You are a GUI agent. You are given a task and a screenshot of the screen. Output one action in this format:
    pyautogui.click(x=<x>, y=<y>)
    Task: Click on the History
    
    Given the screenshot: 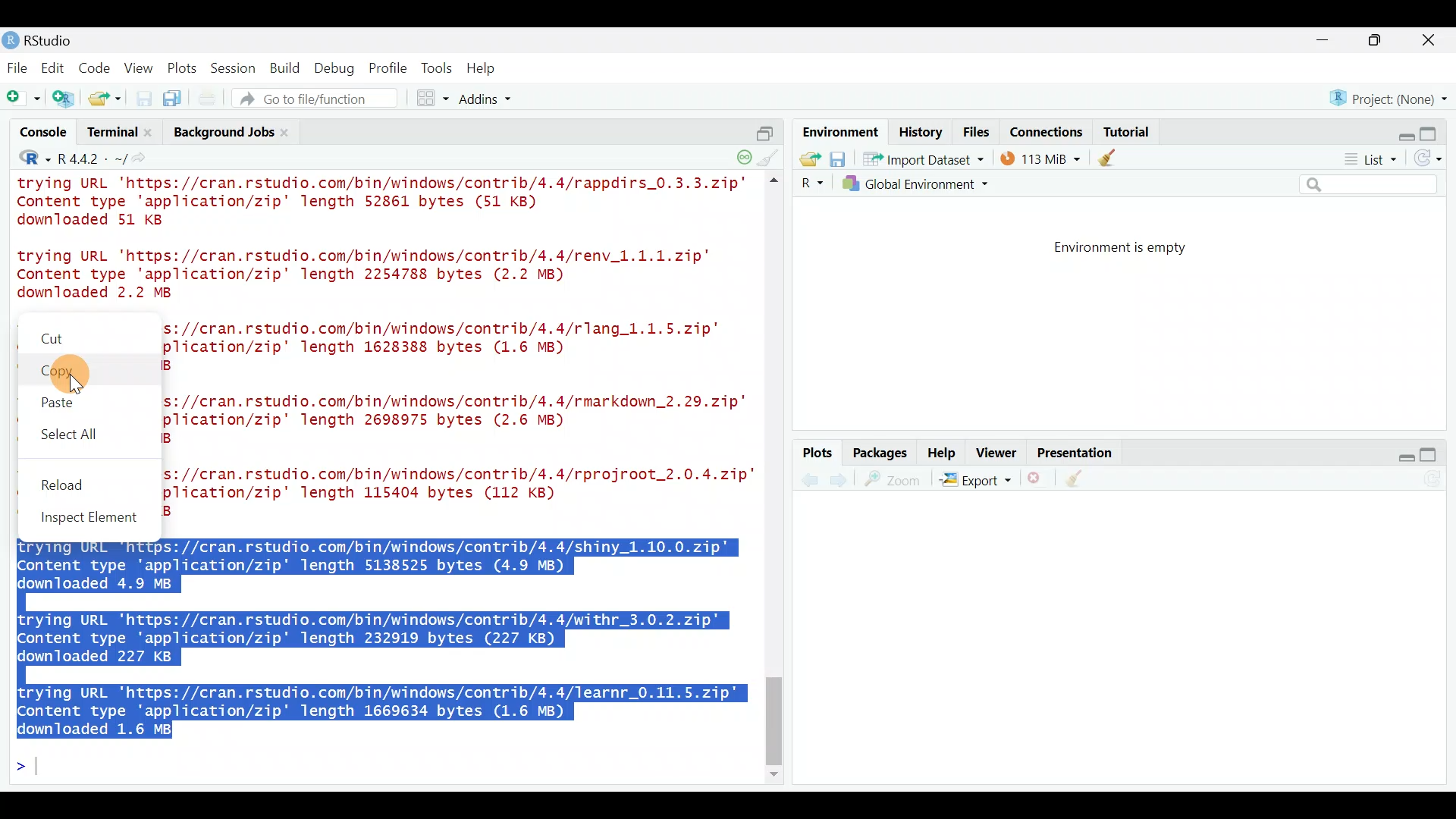 What is the action you would take?
    pyautogui.click(x=921, y=131)
    